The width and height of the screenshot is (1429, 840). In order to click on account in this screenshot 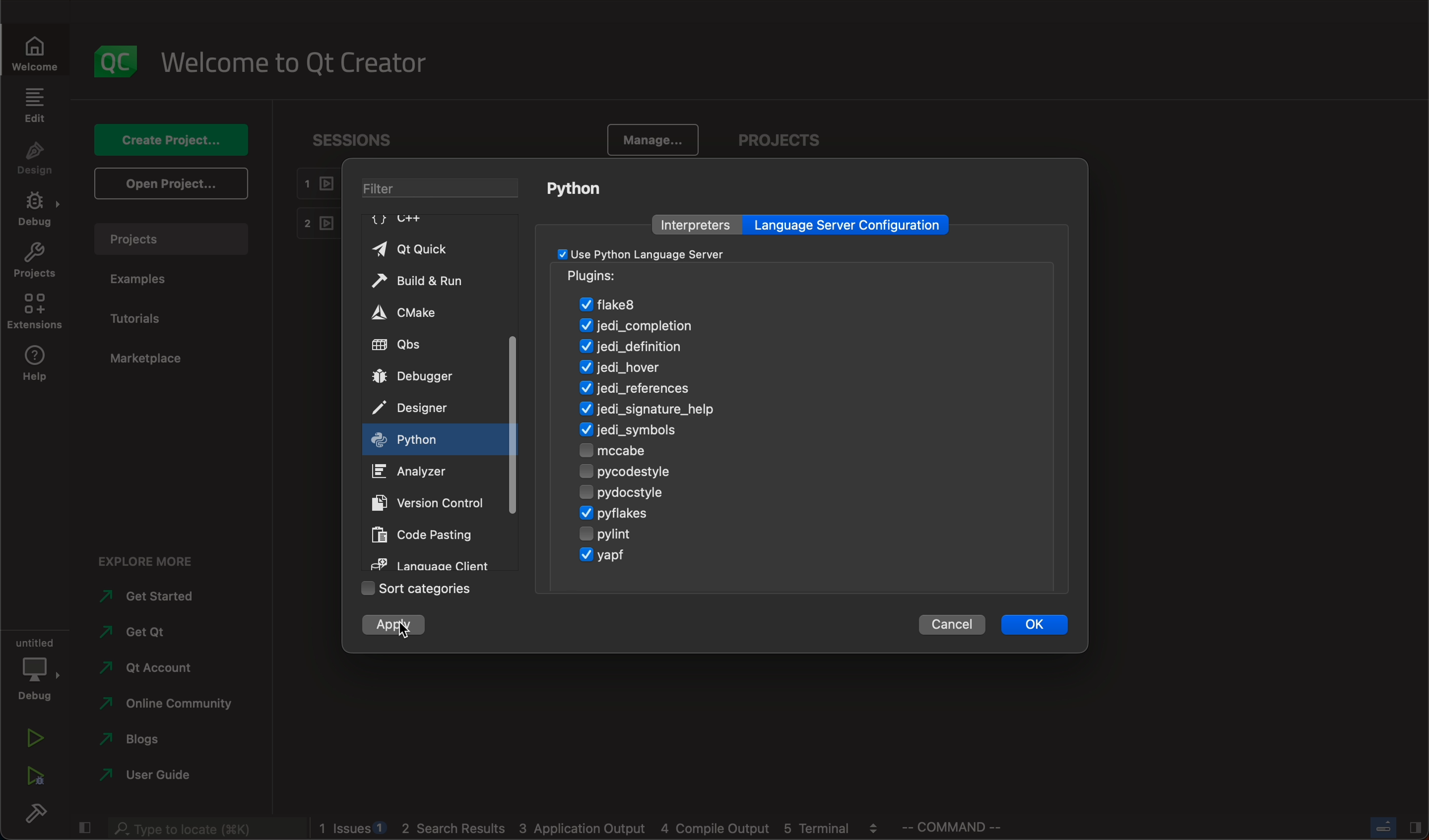, I will do `click(151, 669)`.